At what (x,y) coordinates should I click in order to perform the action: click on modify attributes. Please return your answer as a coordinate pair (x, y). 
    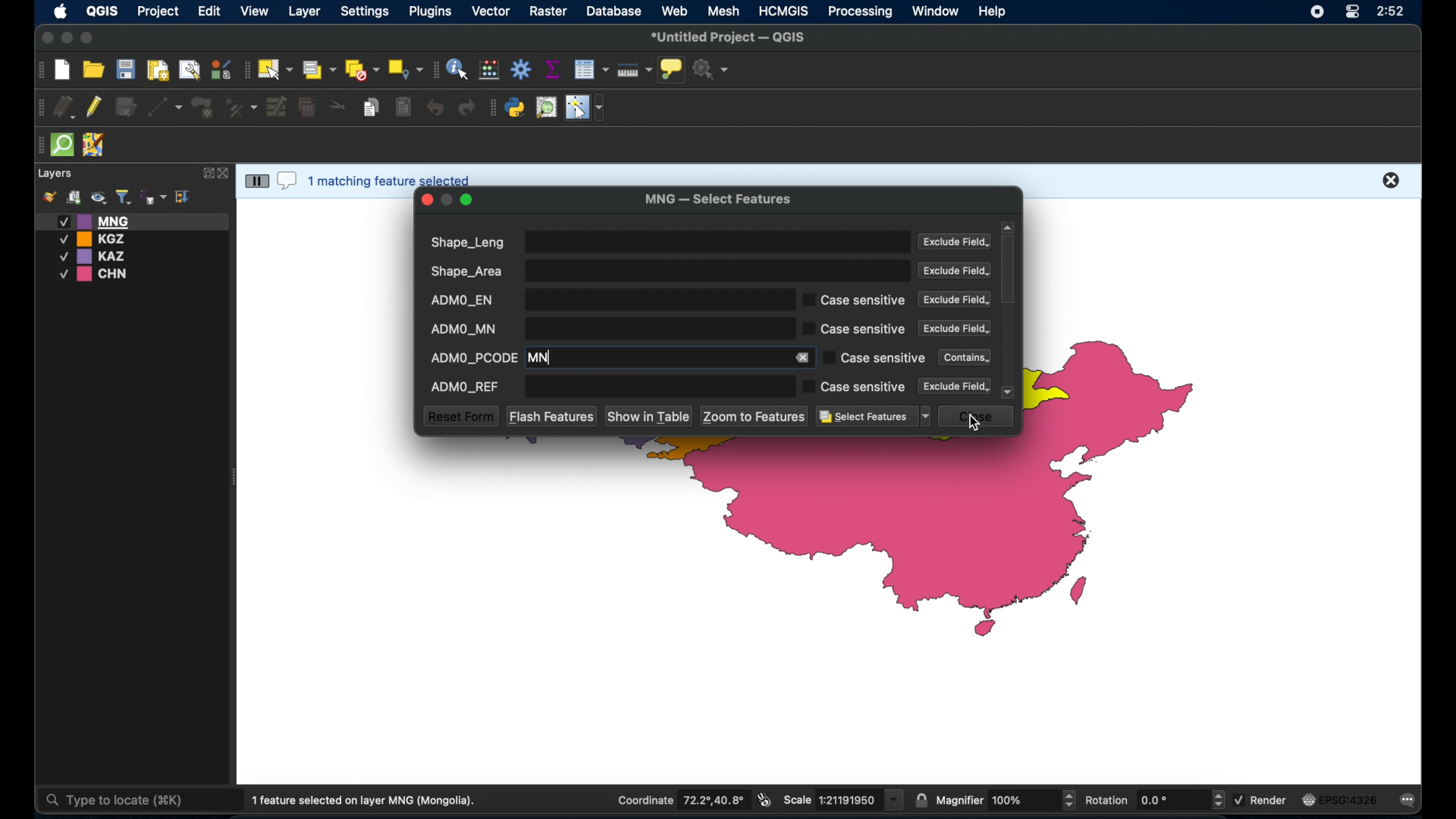
    Looking at the image, I should click on (277, 108).